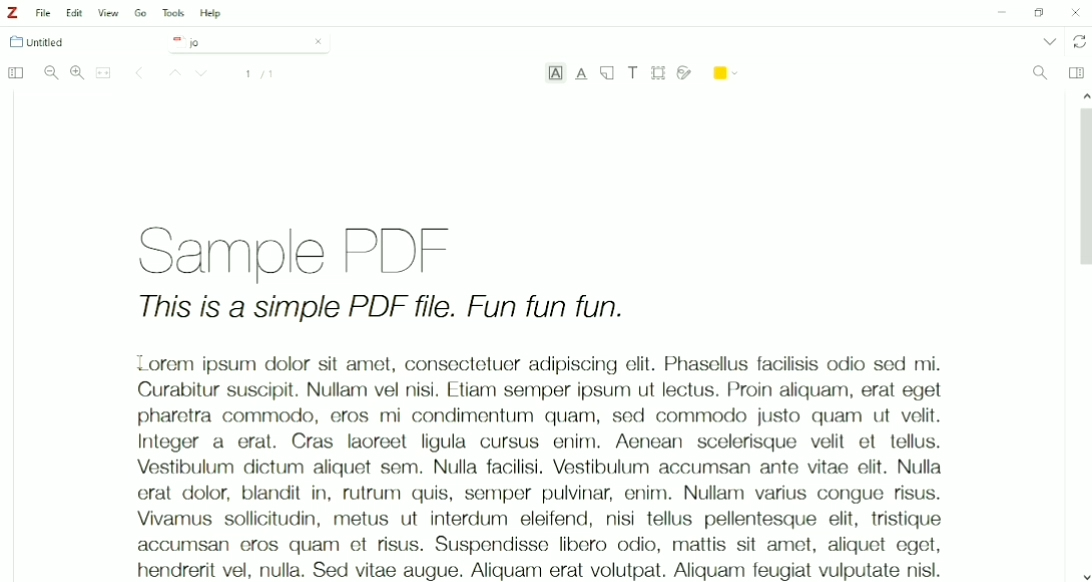 This screenshot has height=582, width=1092. Describe the element at coordinates (14, 74) in the screenshot. I see `Toggle Sidebar` at that location.